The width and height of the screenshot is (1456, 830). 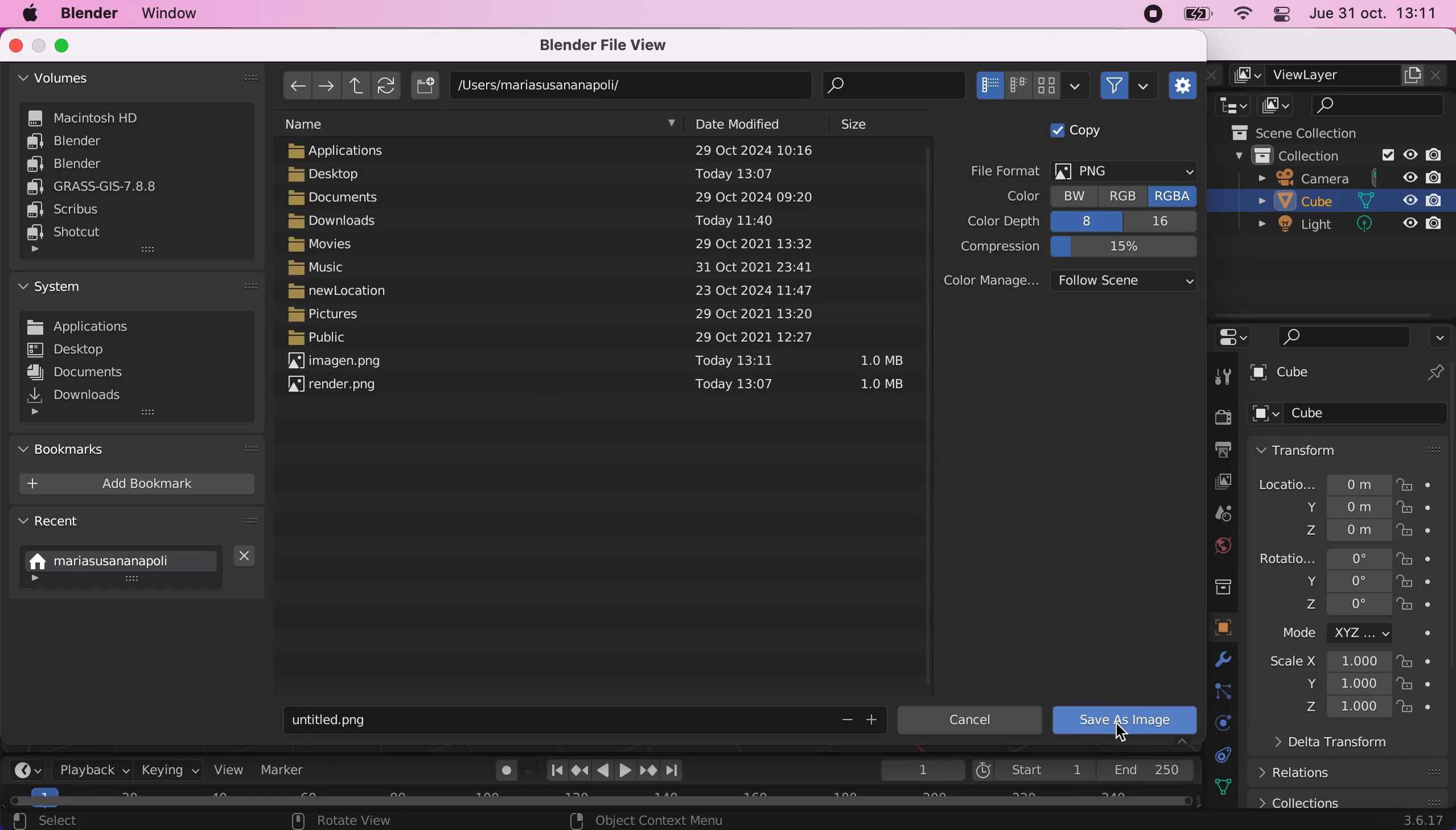 I want to click on collection, so click(x=1333, y=154).